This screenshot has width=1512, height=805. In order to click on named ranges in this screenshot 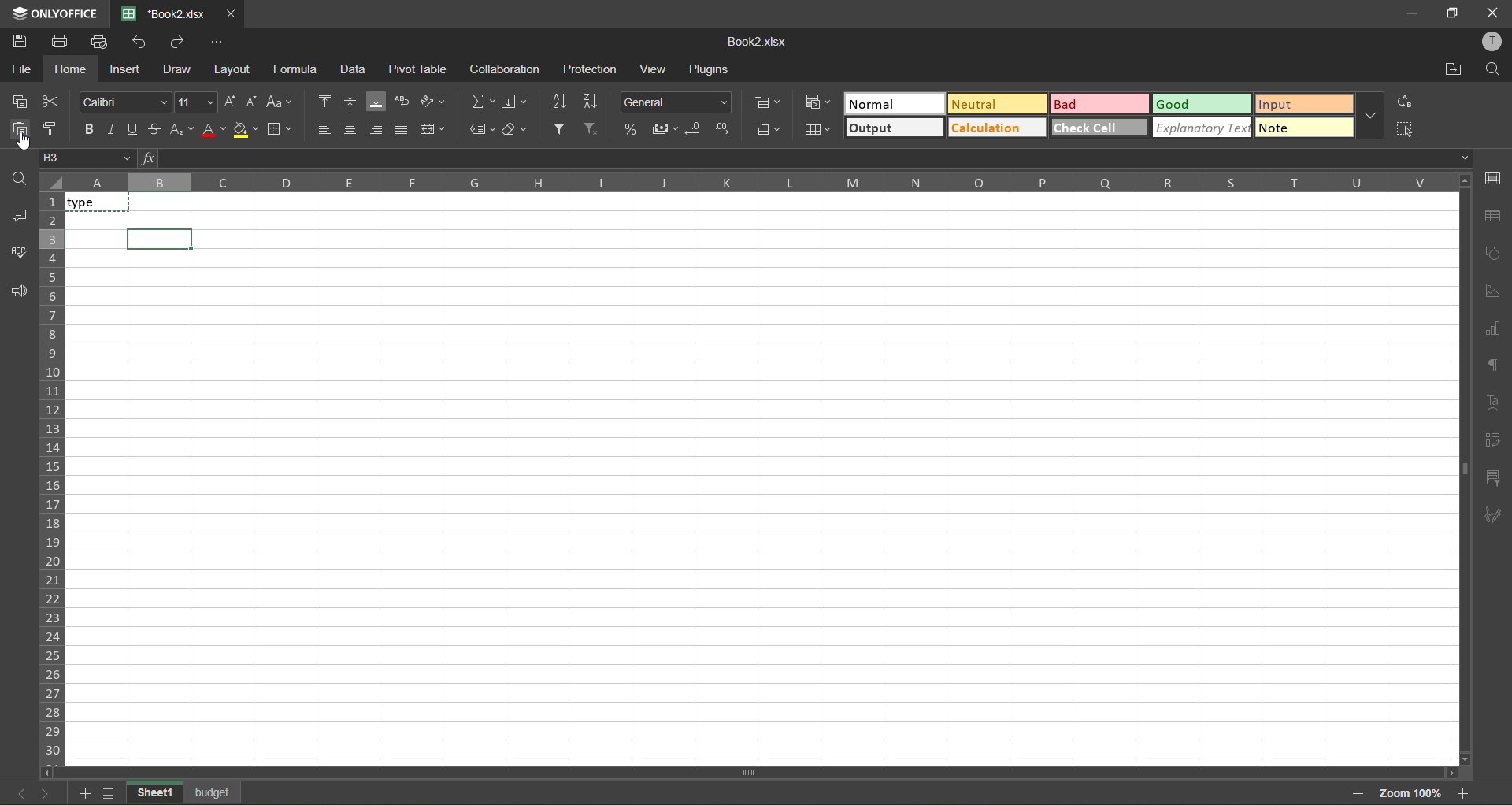, I will do `click(478, 127)`.